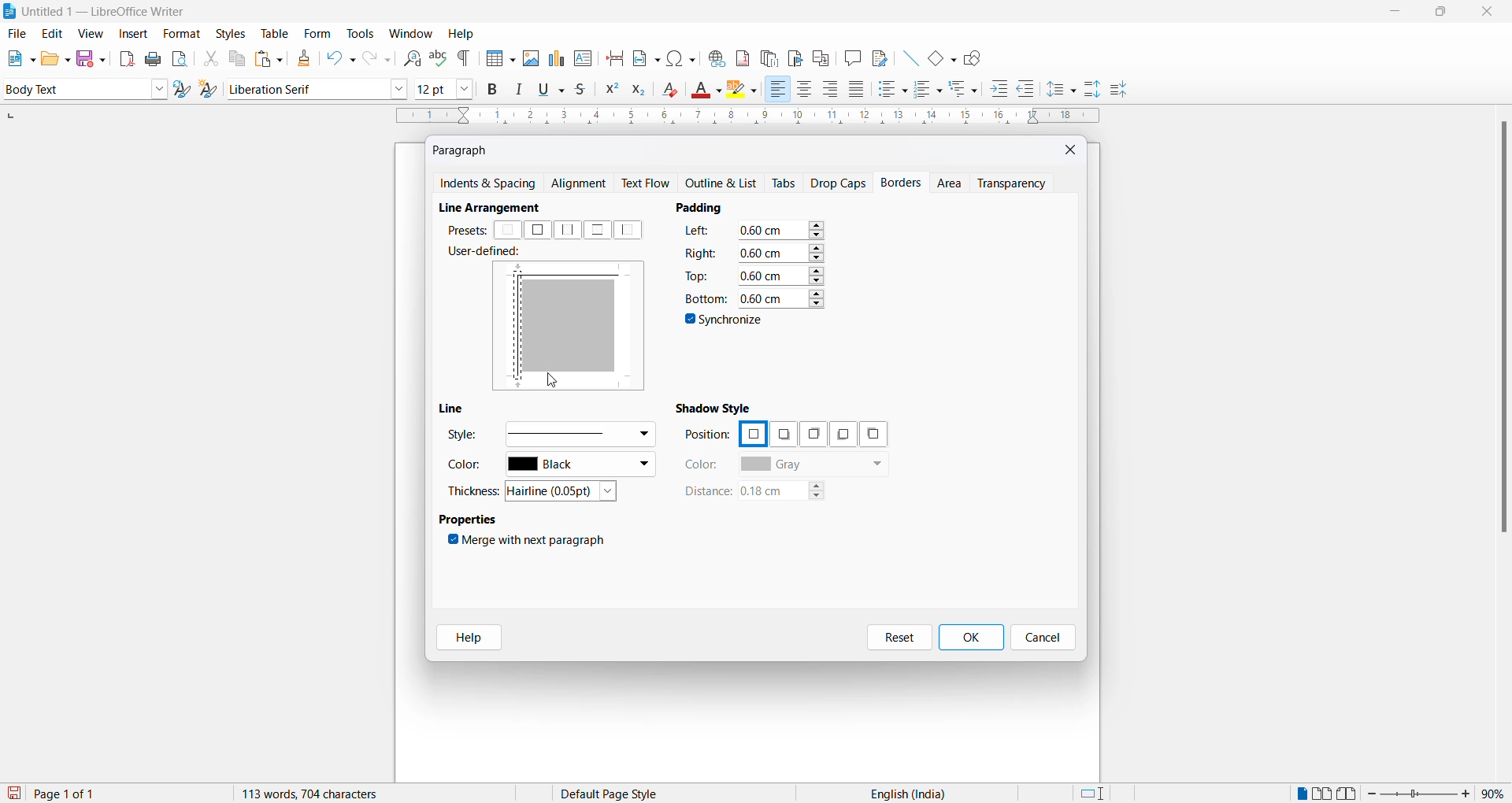 Image resolution: width=1512 pixels, height=803 pixels. What do you see at coordinates (556, 60) in the screenshot?
I see `insert chart` at bounding box center [556, 60].